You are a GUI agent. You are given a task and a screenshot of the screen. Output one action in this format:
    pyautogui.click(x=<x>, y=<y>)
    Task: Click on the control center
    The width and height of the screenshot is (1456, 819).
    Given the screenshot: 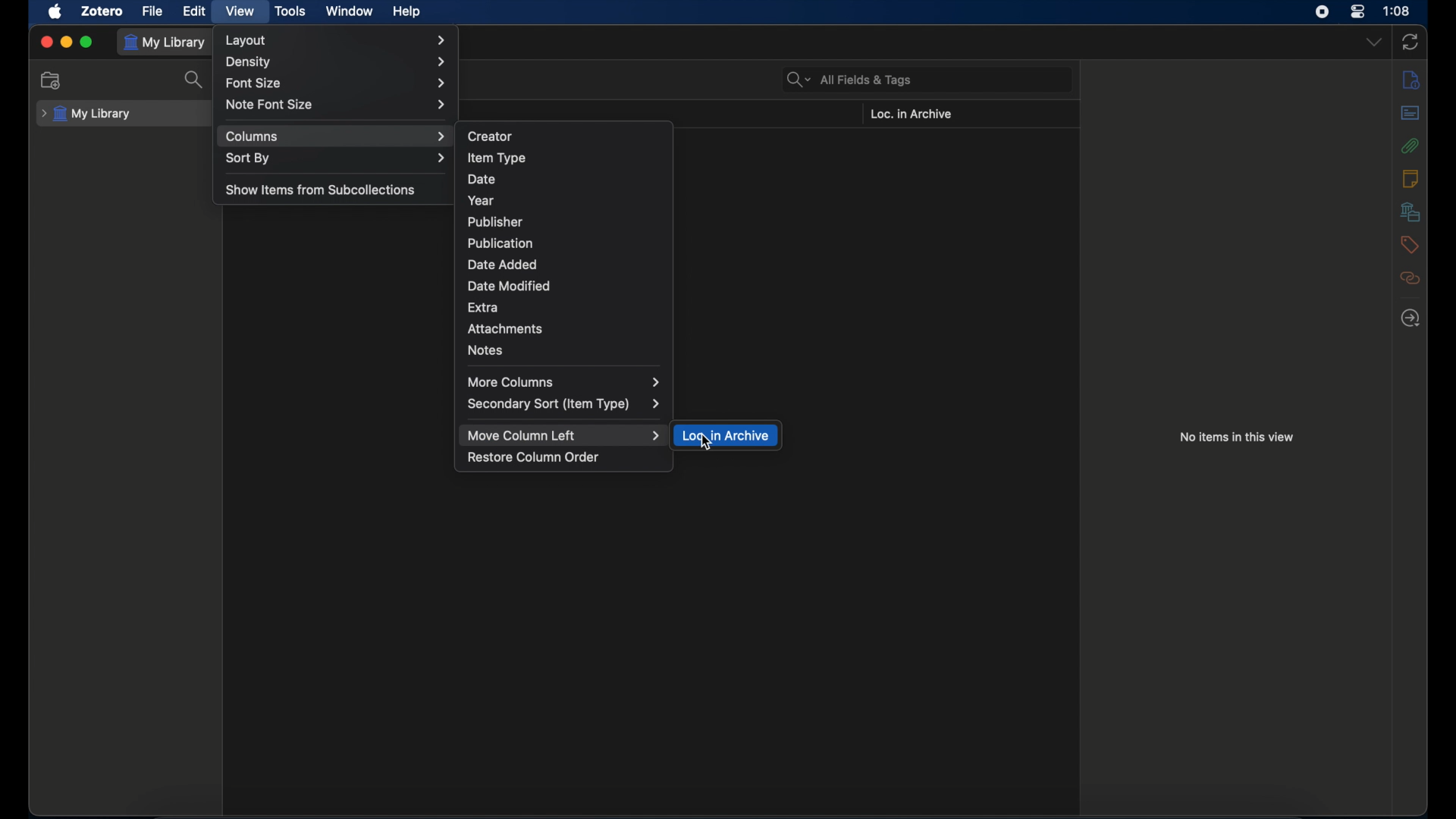 What is the action you would take?
    pyautogui.click(x=1357, y=12)
    